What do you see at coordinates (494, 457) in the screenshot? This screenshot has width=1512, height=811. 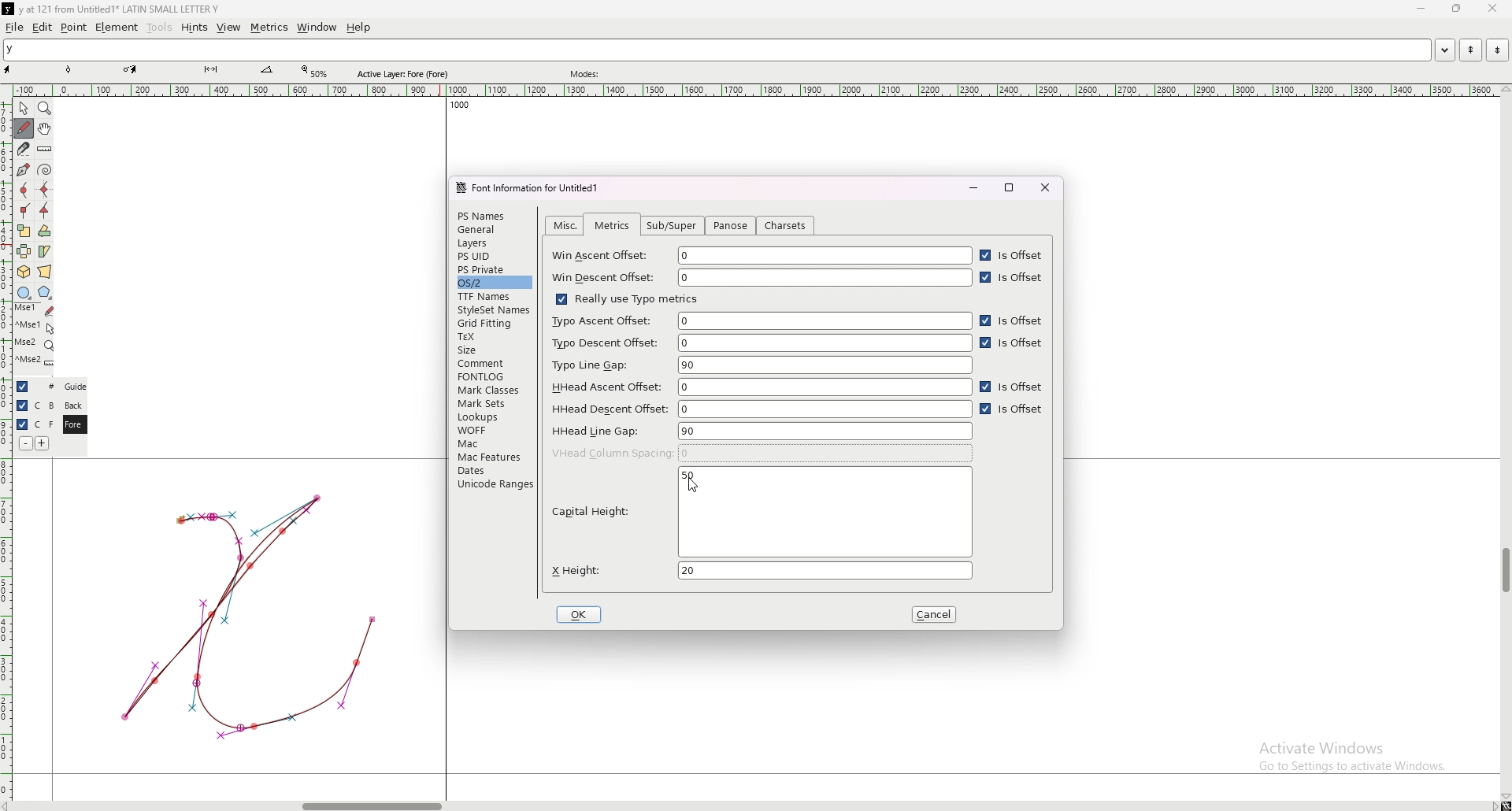 I see `mac features` at bounding box center [494, 457].